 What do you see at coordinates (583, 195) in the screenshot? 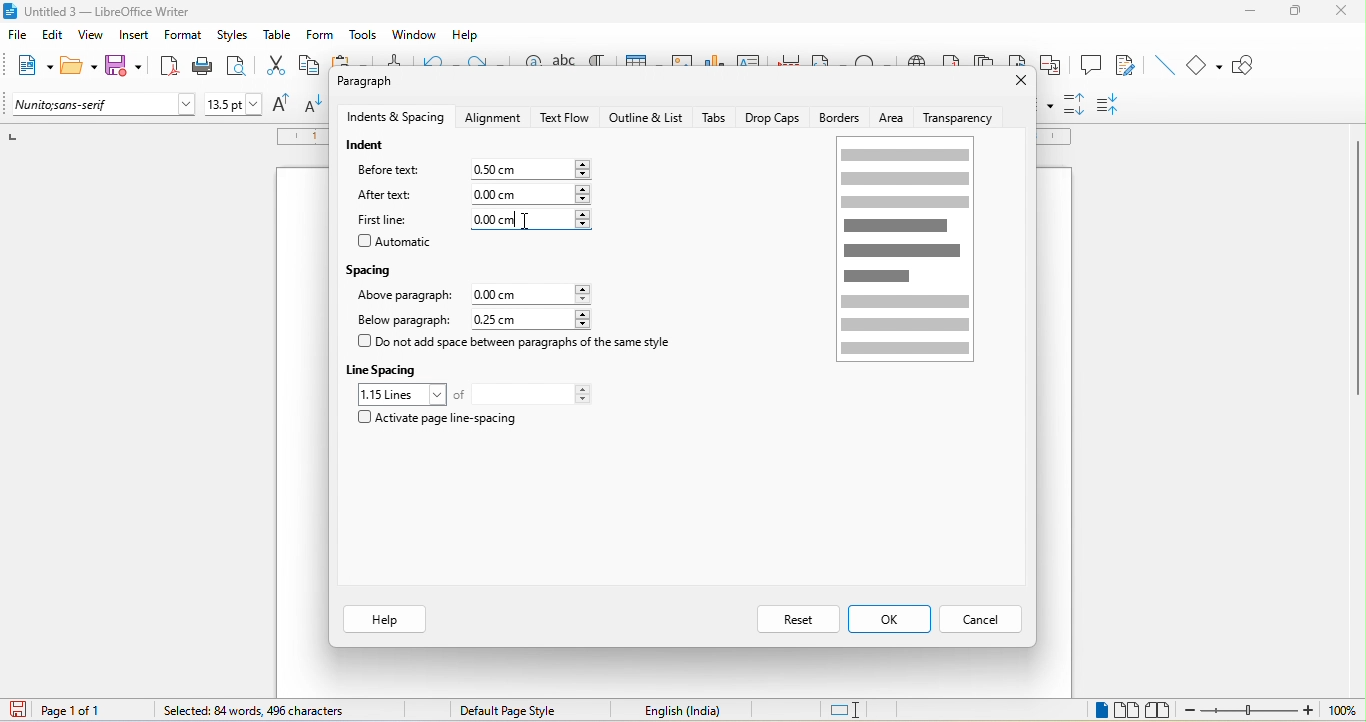
I see `increase or decrease` at bounding box center [583, 195].